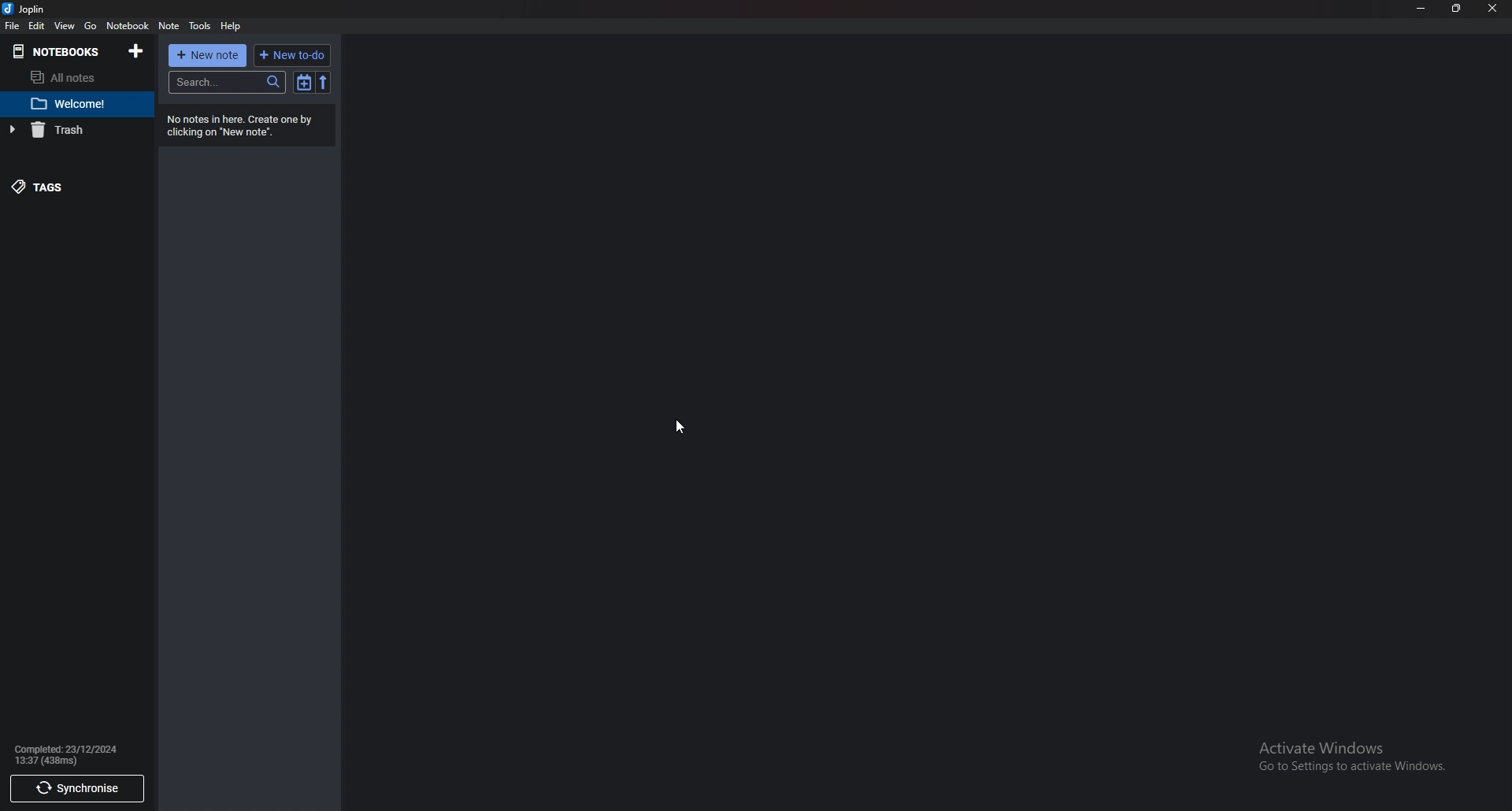 This screenshot has height=811, width=1512. I want to click on Joplin, so click(25, 8).